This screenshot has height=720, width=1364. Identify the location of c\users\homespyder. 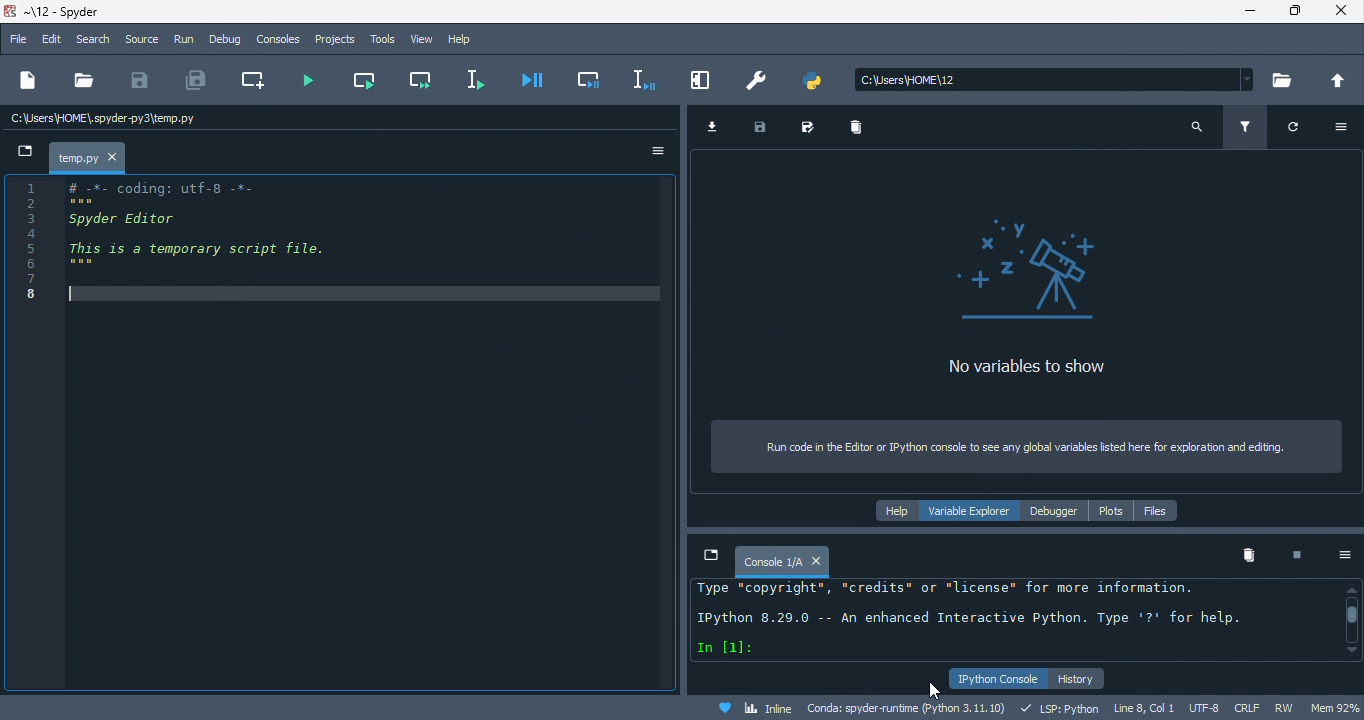
(104, 120).